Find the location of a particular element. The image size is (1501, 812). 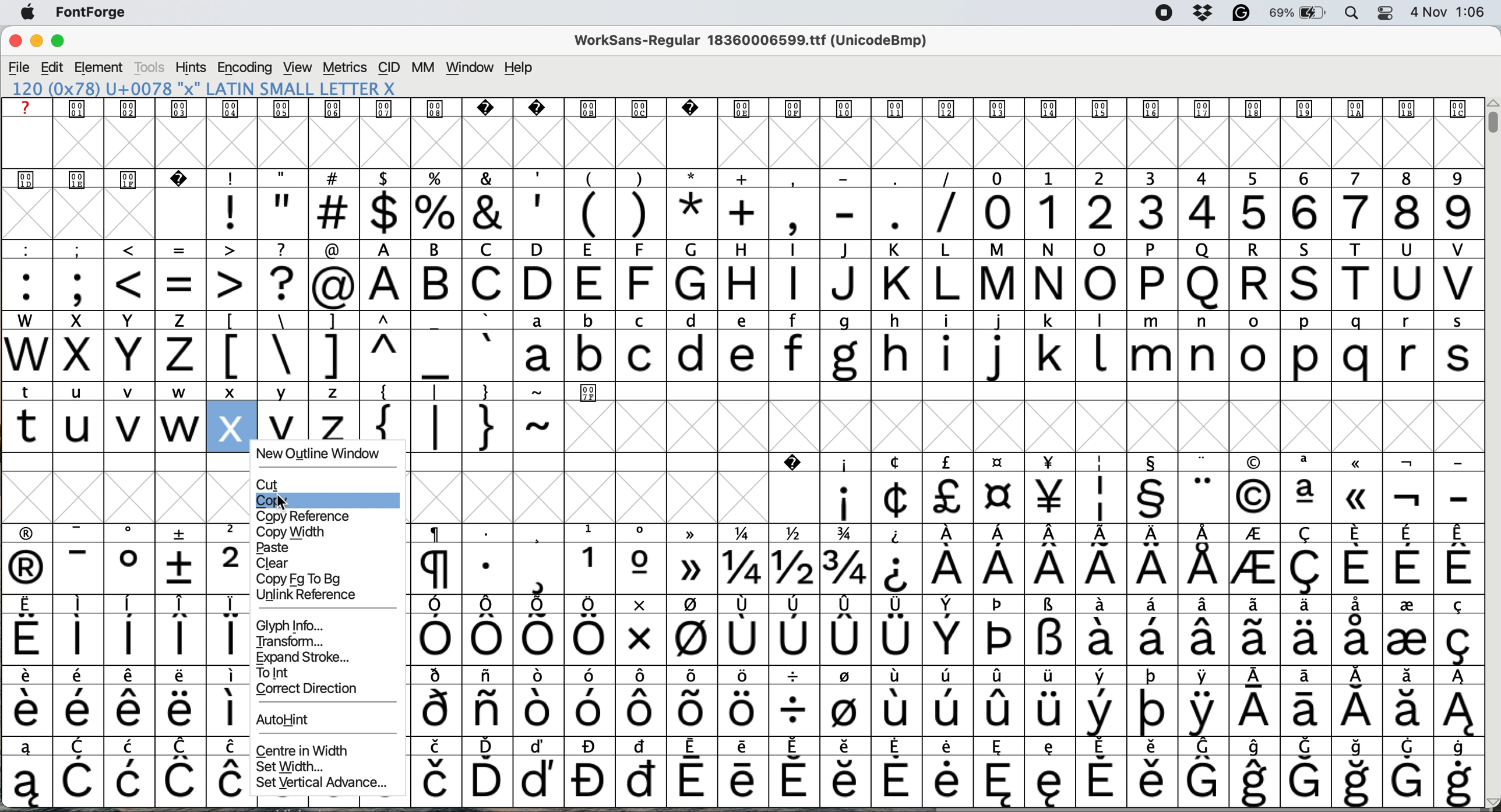

special characters is located at coordinates (129, 602).